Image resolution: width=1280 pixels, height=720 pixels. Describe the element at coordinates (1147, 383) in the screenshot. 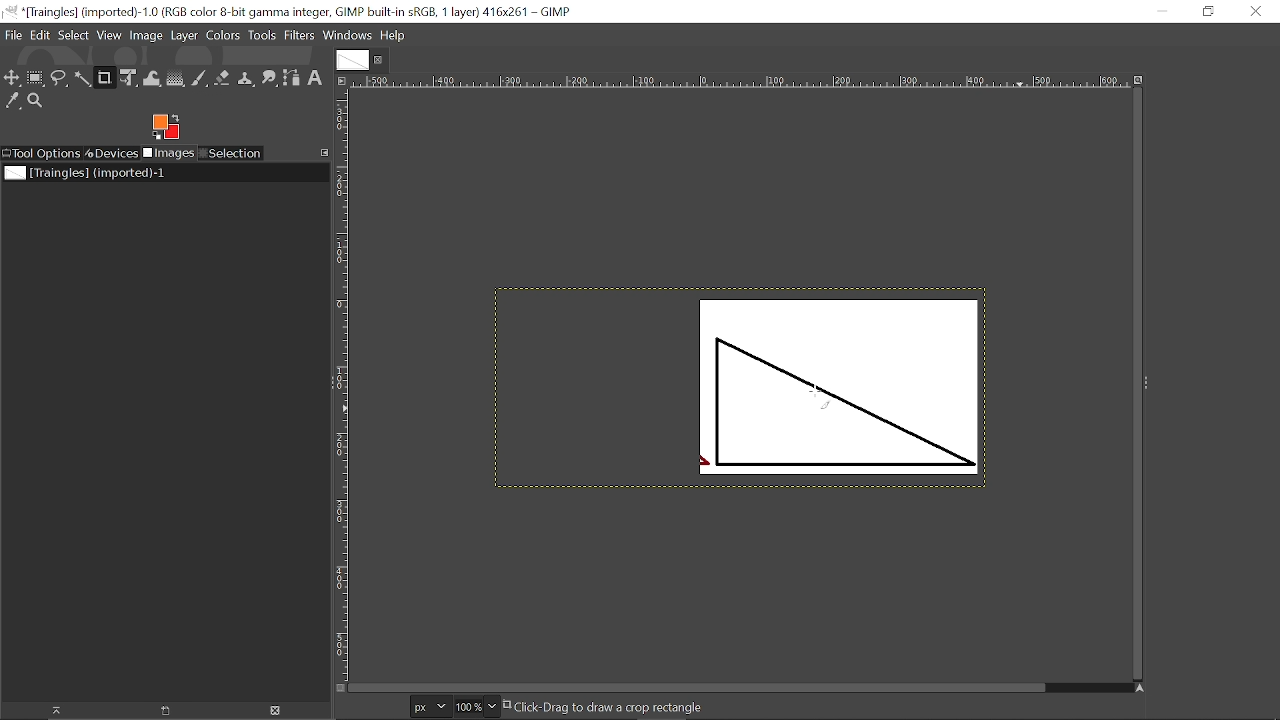

I see `Show sidebar menu` at that location.